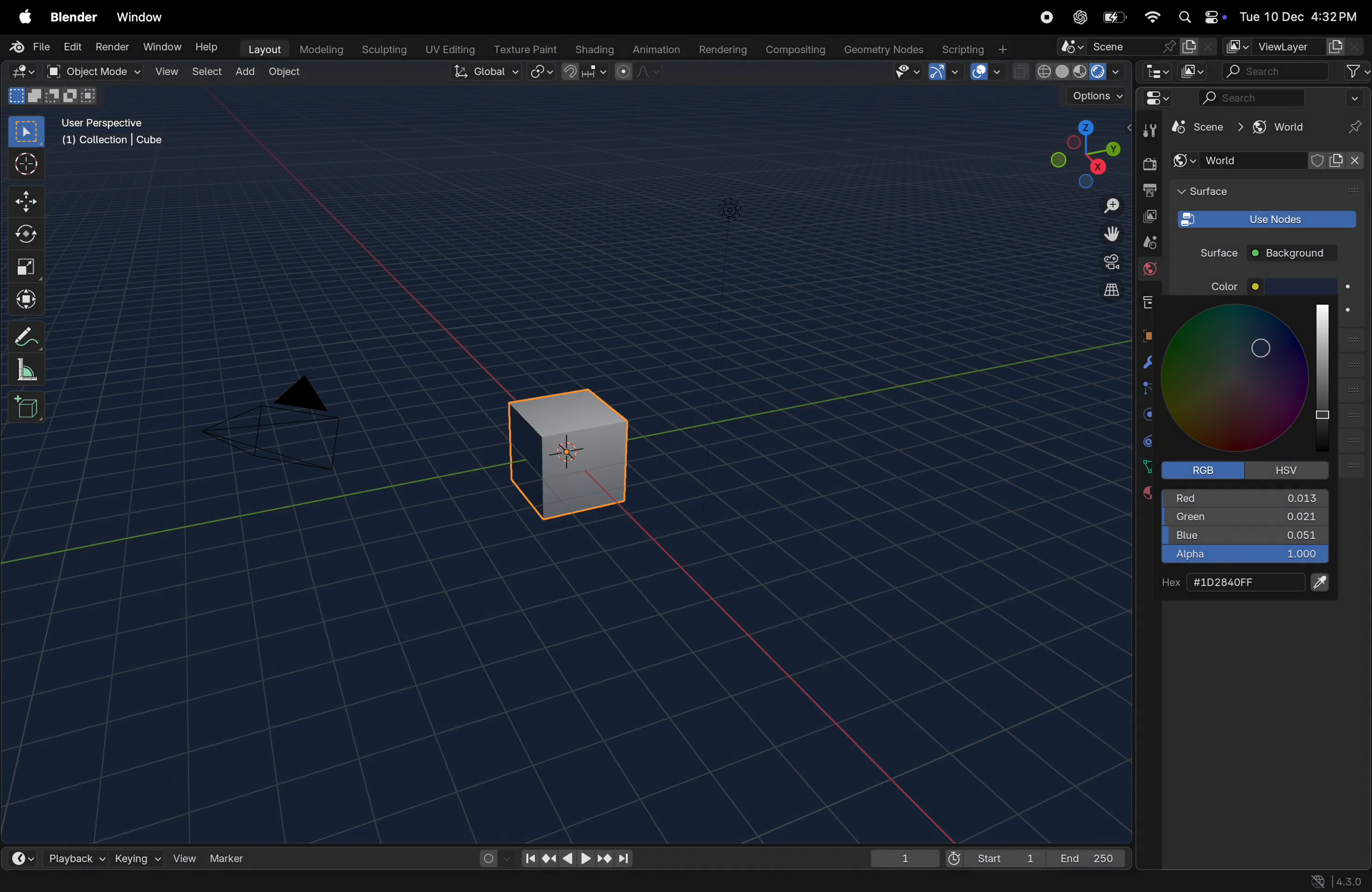 Image resolution: width=1372 pixels, height=892 pixels. Describe the element at coordinates (1342, 881) in the screenshot. I see `version` at that location.